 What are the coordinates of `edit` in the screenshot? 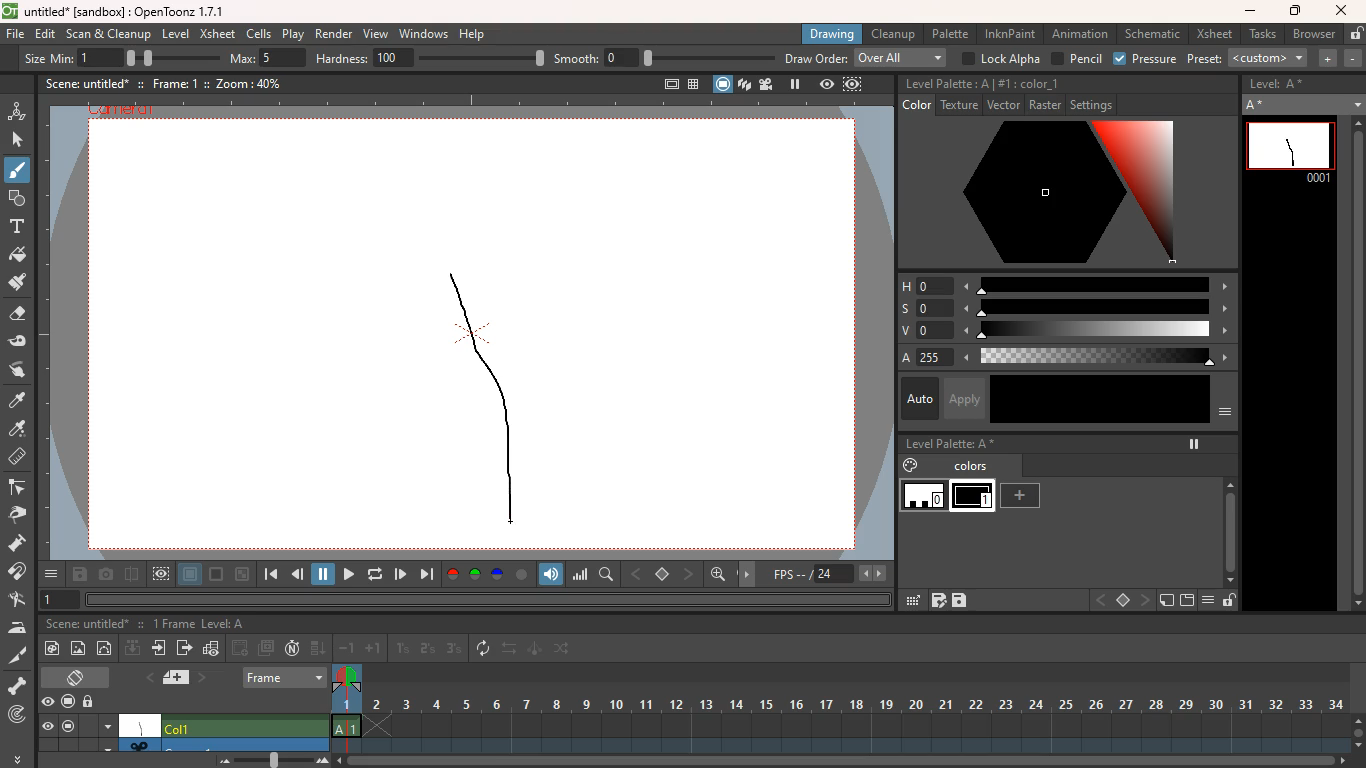 It's located at (23, 342).